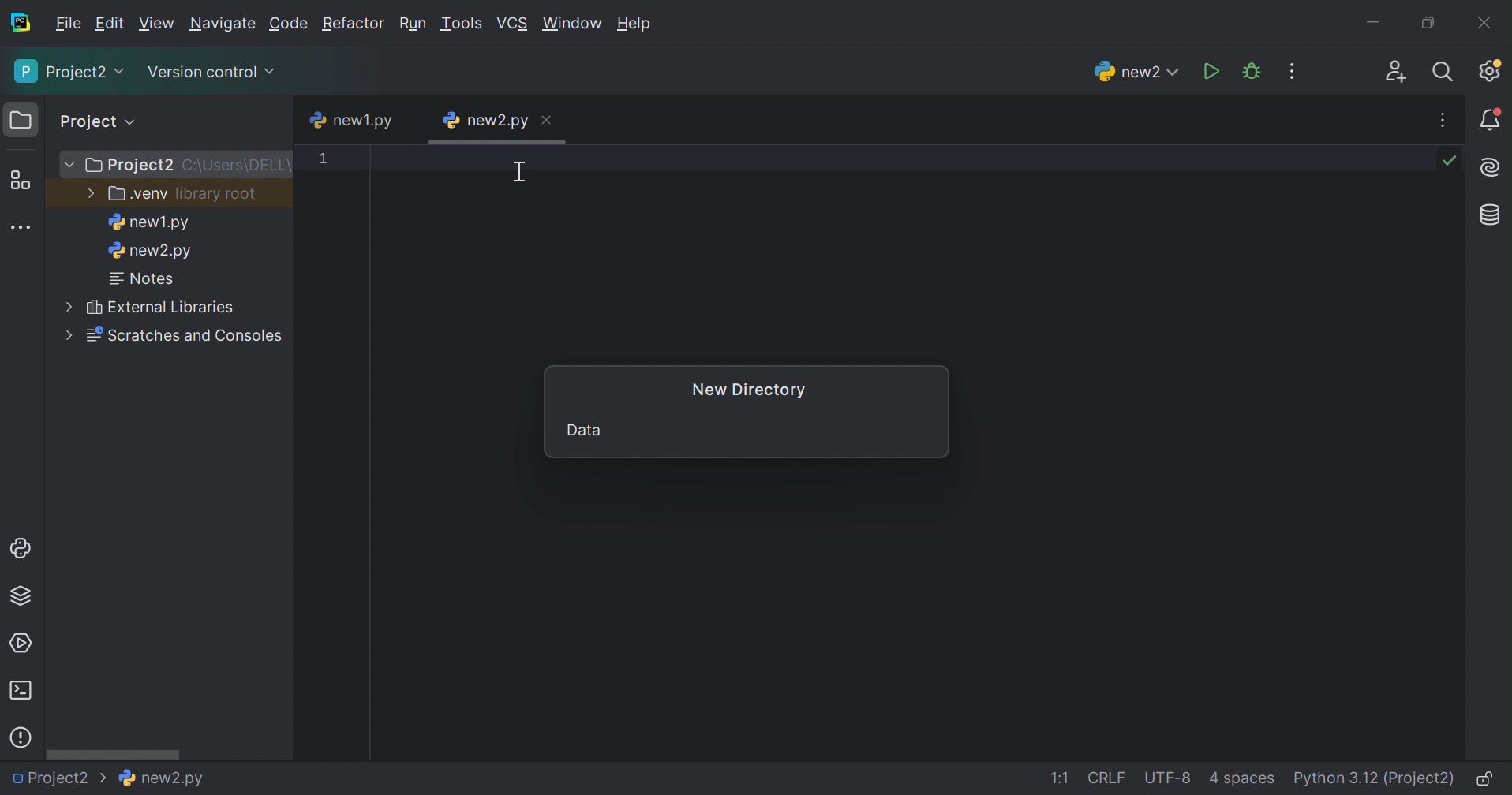 The height and width of the screenshot is (795, 1512). What do you see at coordinates (1492, 71) in the screenshot?
I see `Updates available. IDE and Project Settings.` at bounding box center [1492, 71].